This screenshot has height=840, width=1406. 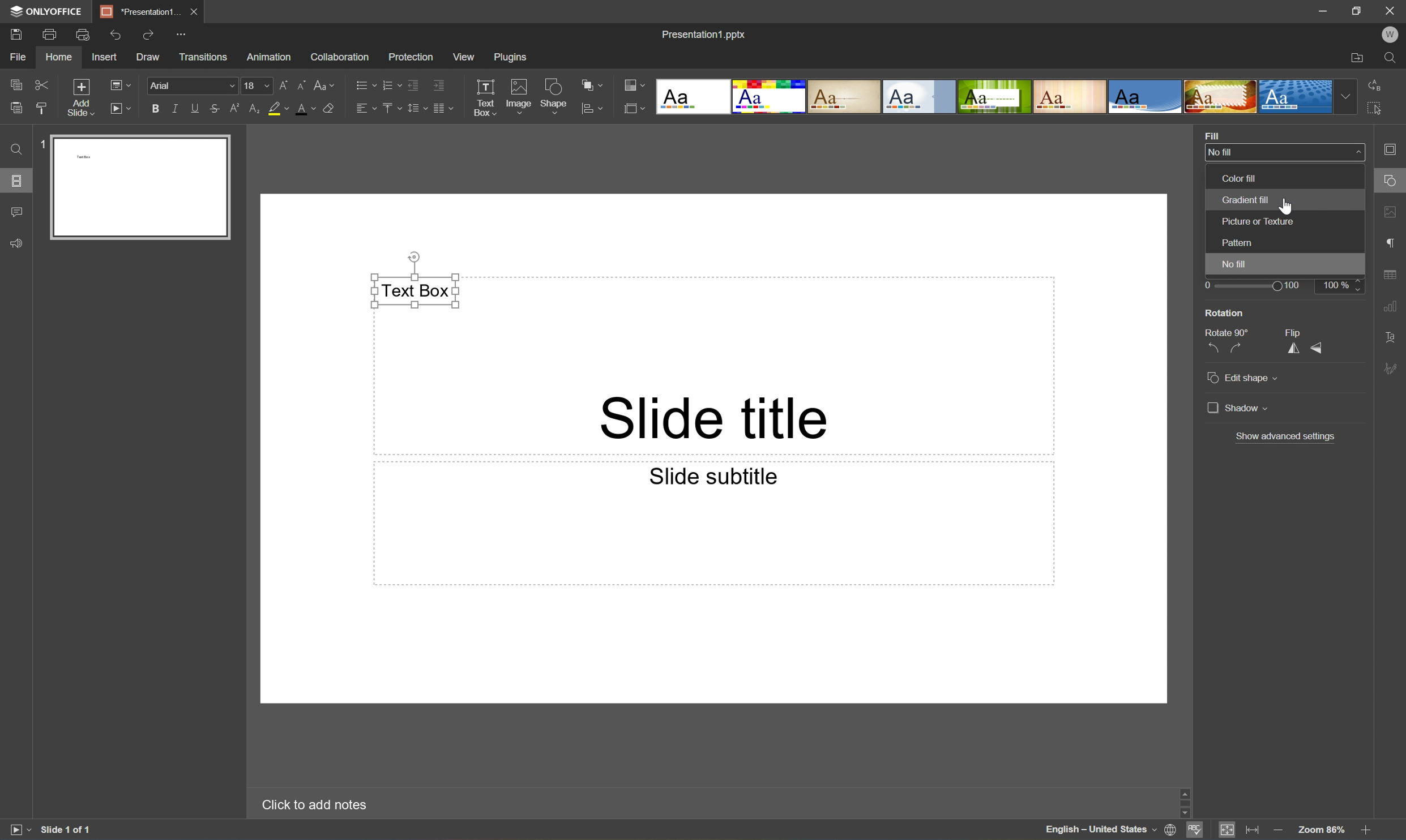 What do you see at coordinates (194, 11) in the screenshot?
I see `Close` at bounding box center [194, 11].